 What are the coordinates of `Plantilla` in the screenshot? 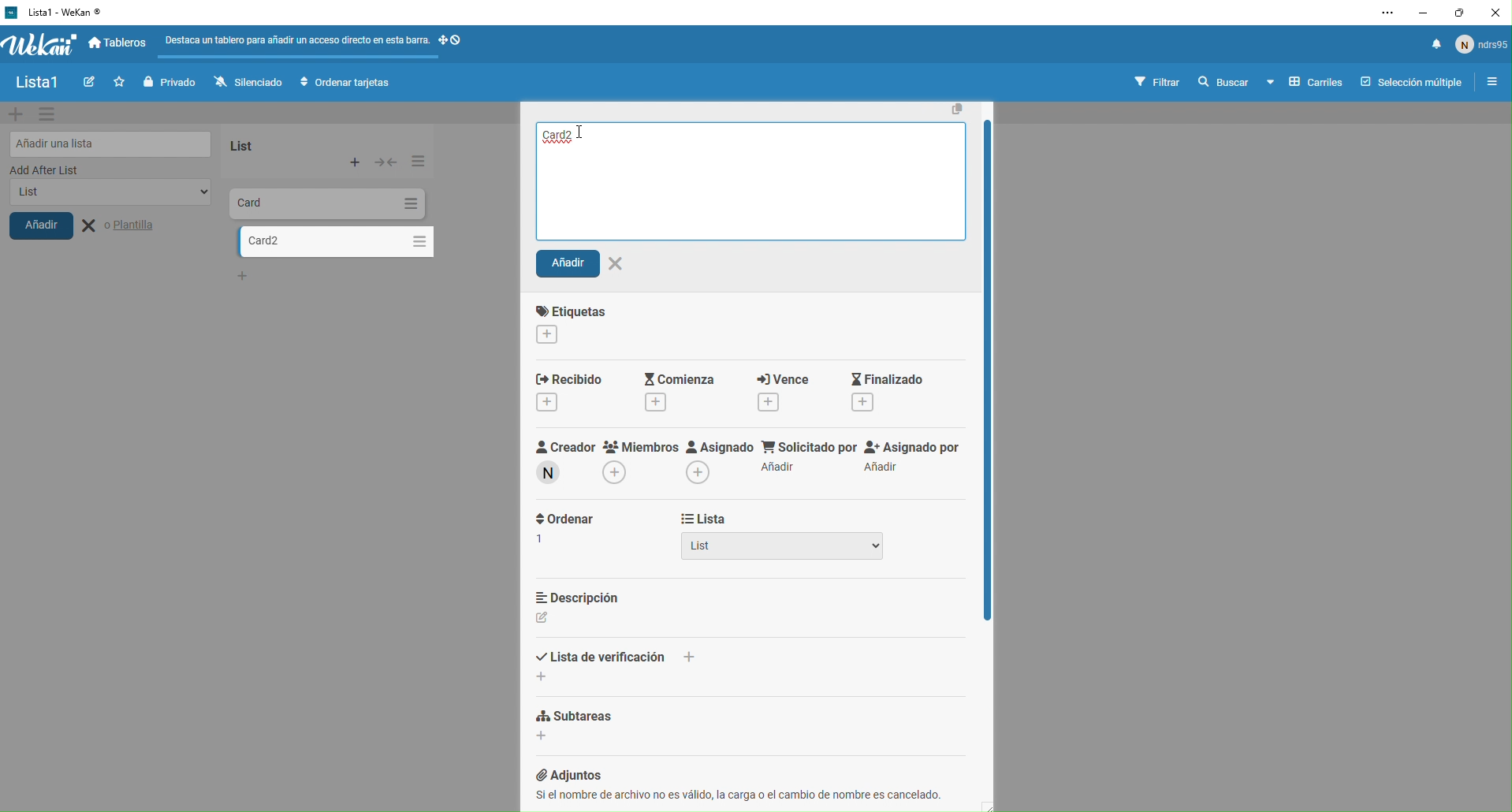 It's located at (131, 226).